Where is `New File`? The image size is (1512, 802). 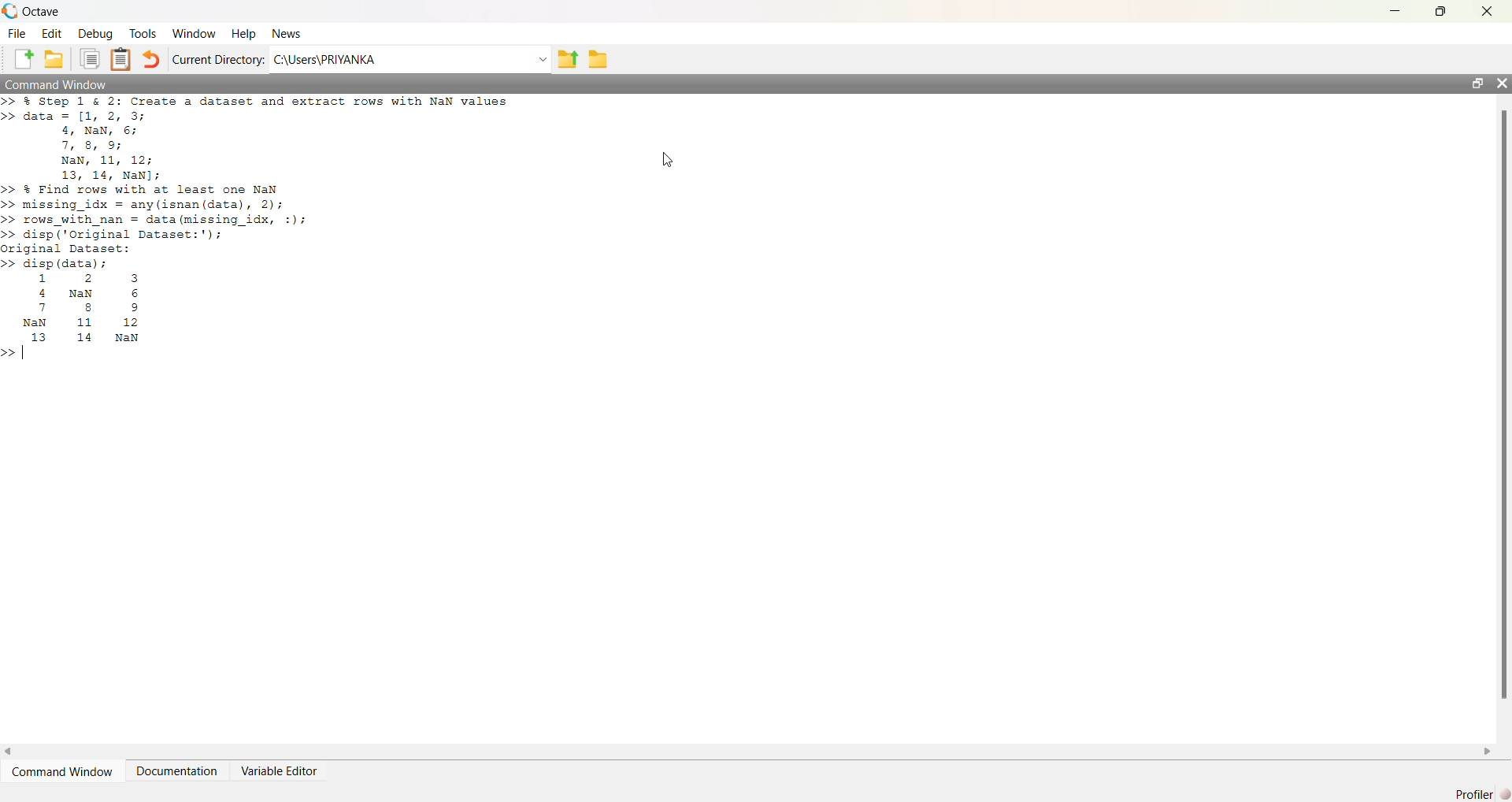
New File is located at coordinates (24, 59).